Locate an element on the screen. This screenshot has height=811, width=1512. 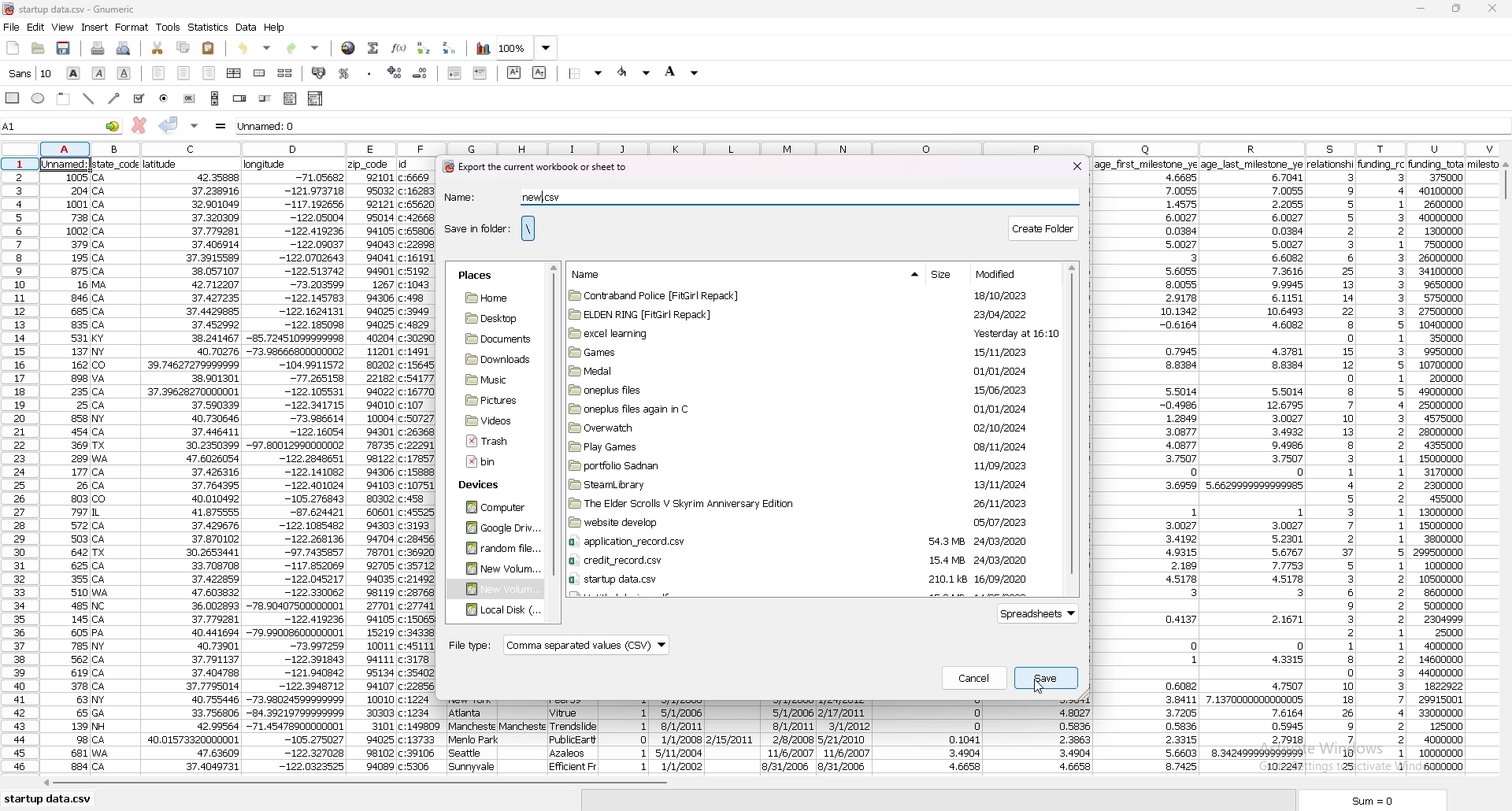
file is located at coordinates (491, 441).